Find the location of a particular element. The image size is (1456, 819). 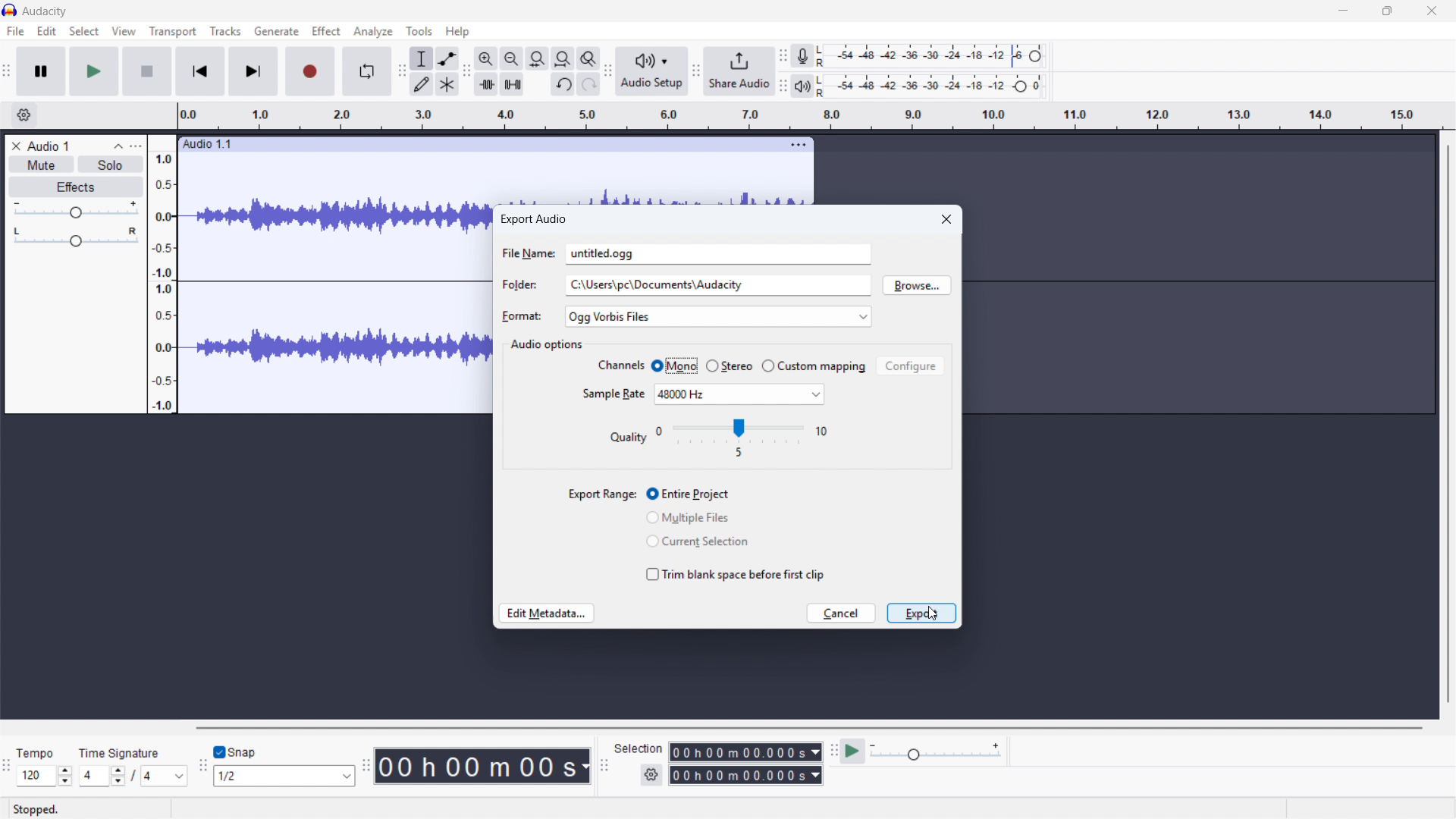

Selection settings  is located at coordinates (651, 774).